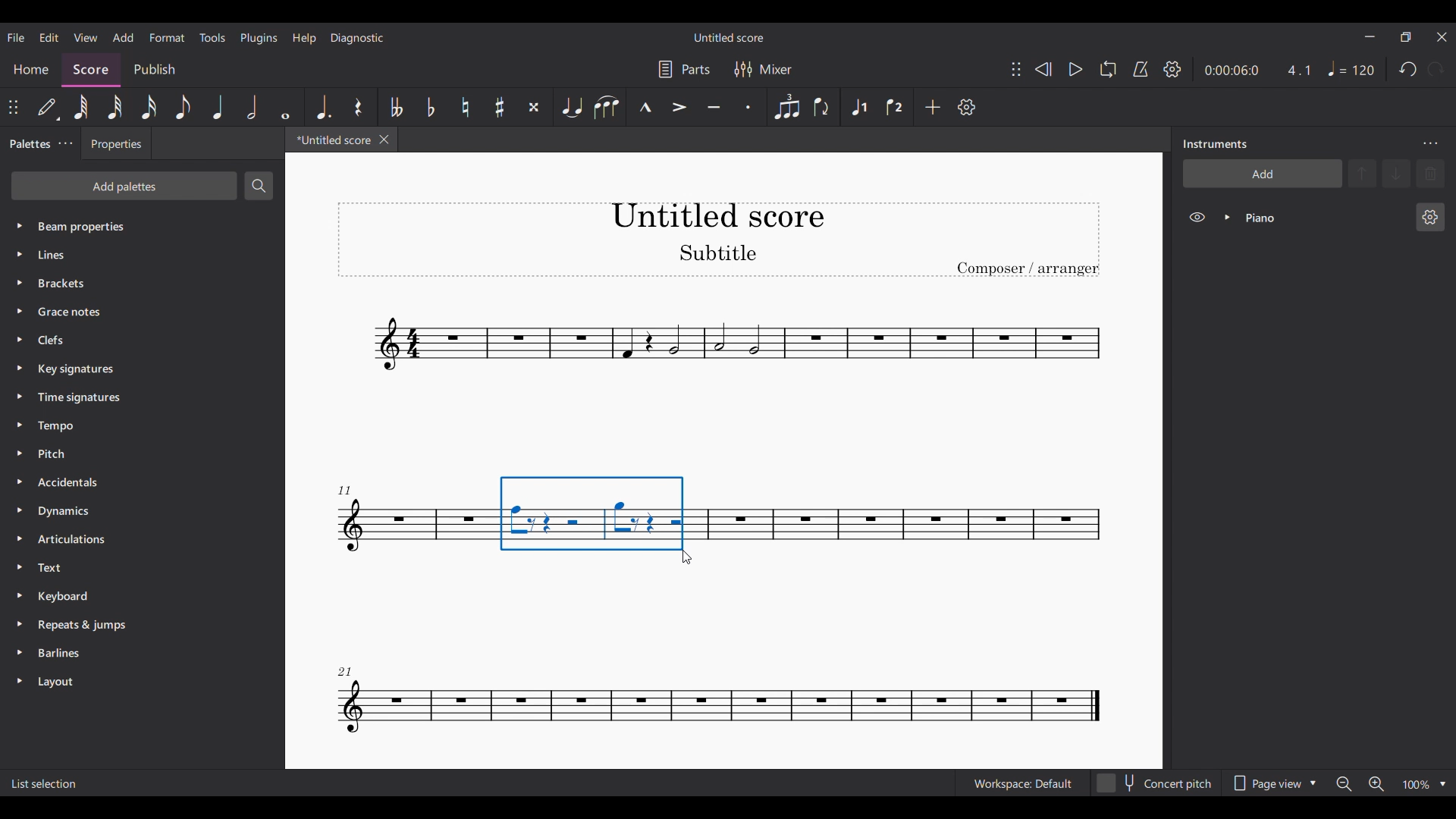 The height and width of the screenshot is (819, 1456). Describe the element at coordinates (136, 397) in the screenshot. I see `Time signatures` at that location.